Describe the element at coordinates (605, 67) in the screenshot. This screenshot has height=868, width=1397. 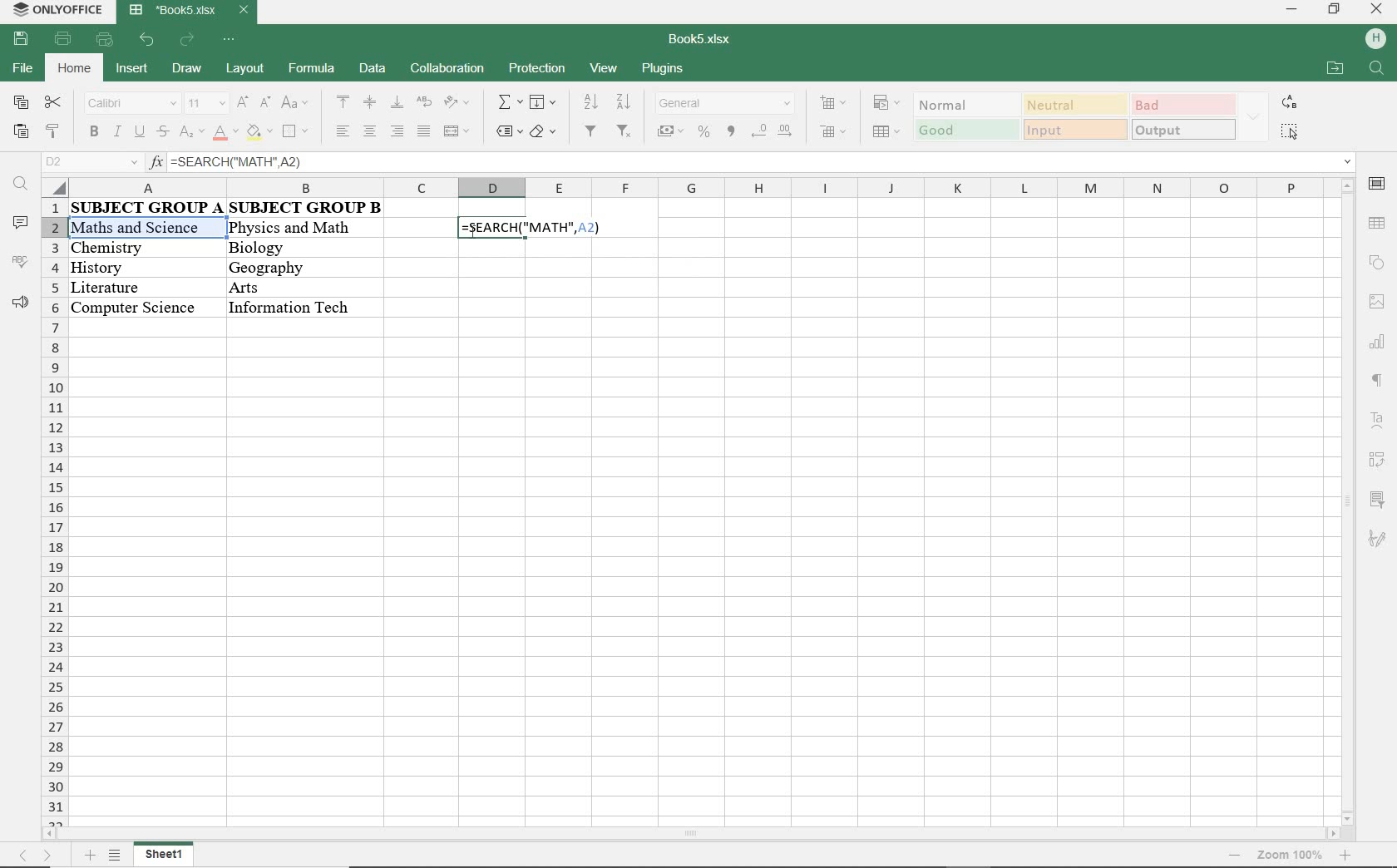
I see `view` at that location.